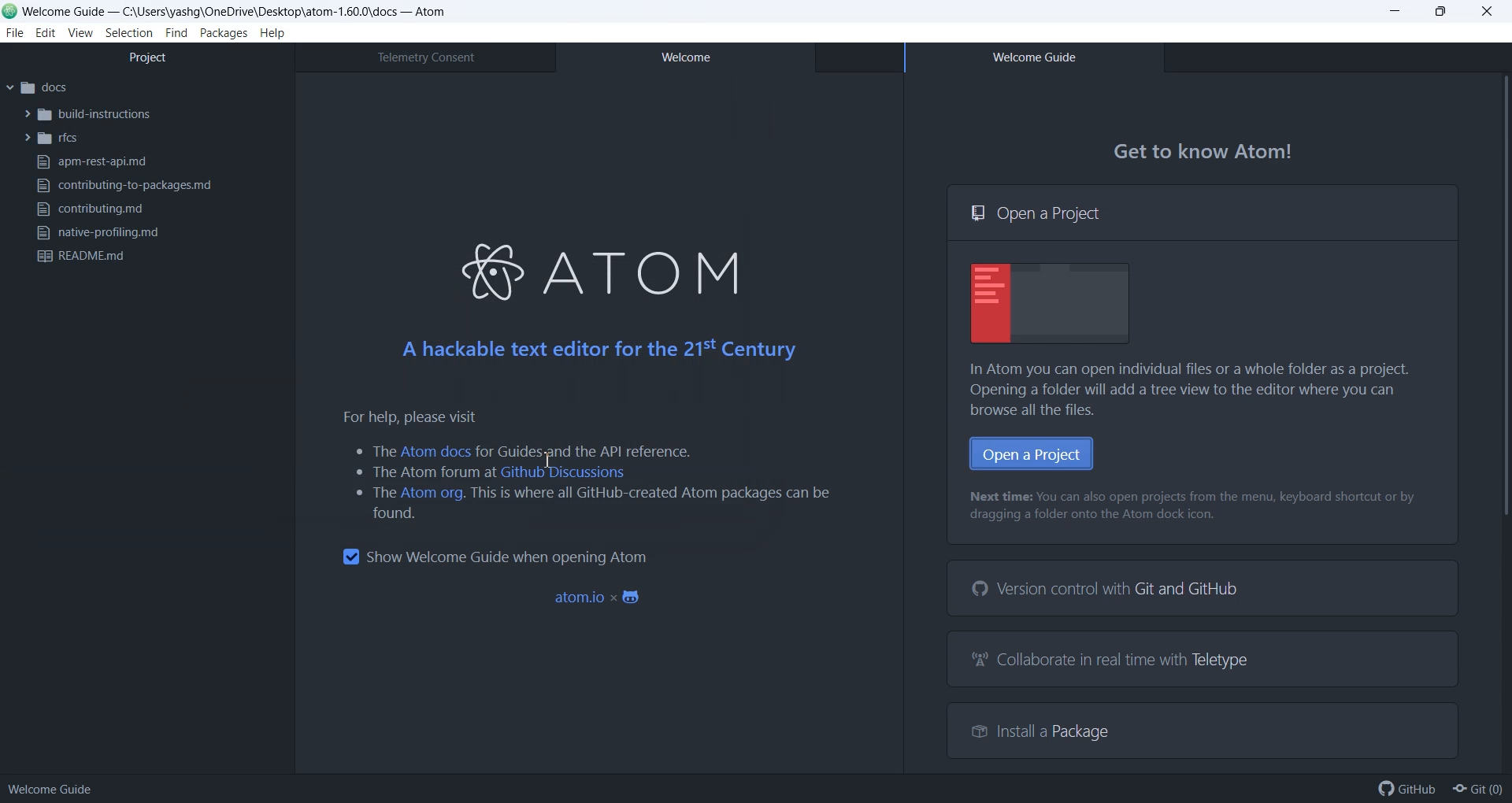  I want to click on Display, so click(1051, 303).